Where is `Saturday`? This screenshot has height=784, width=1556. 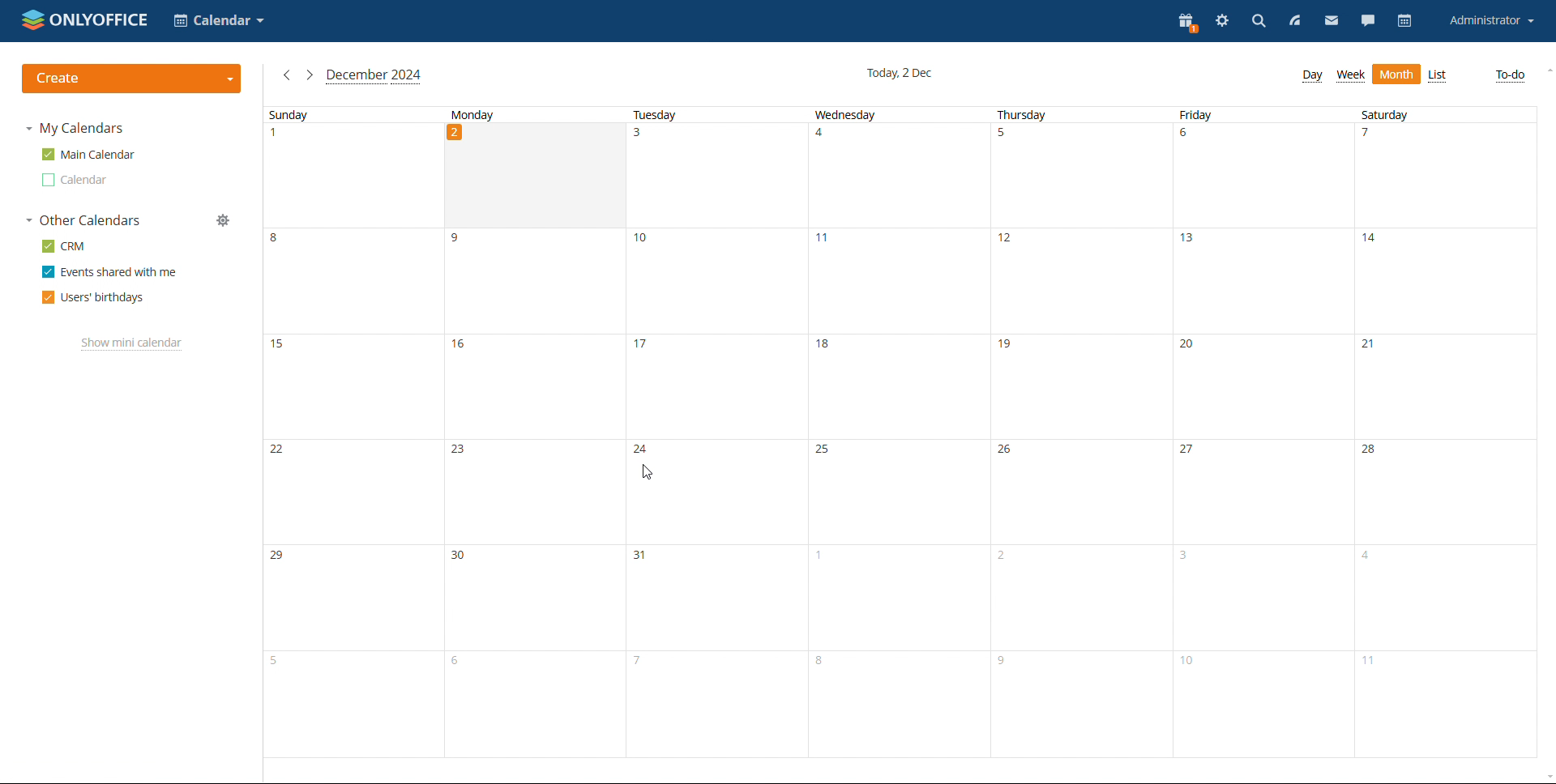
Saturday is located at coordinates (1386, 114).